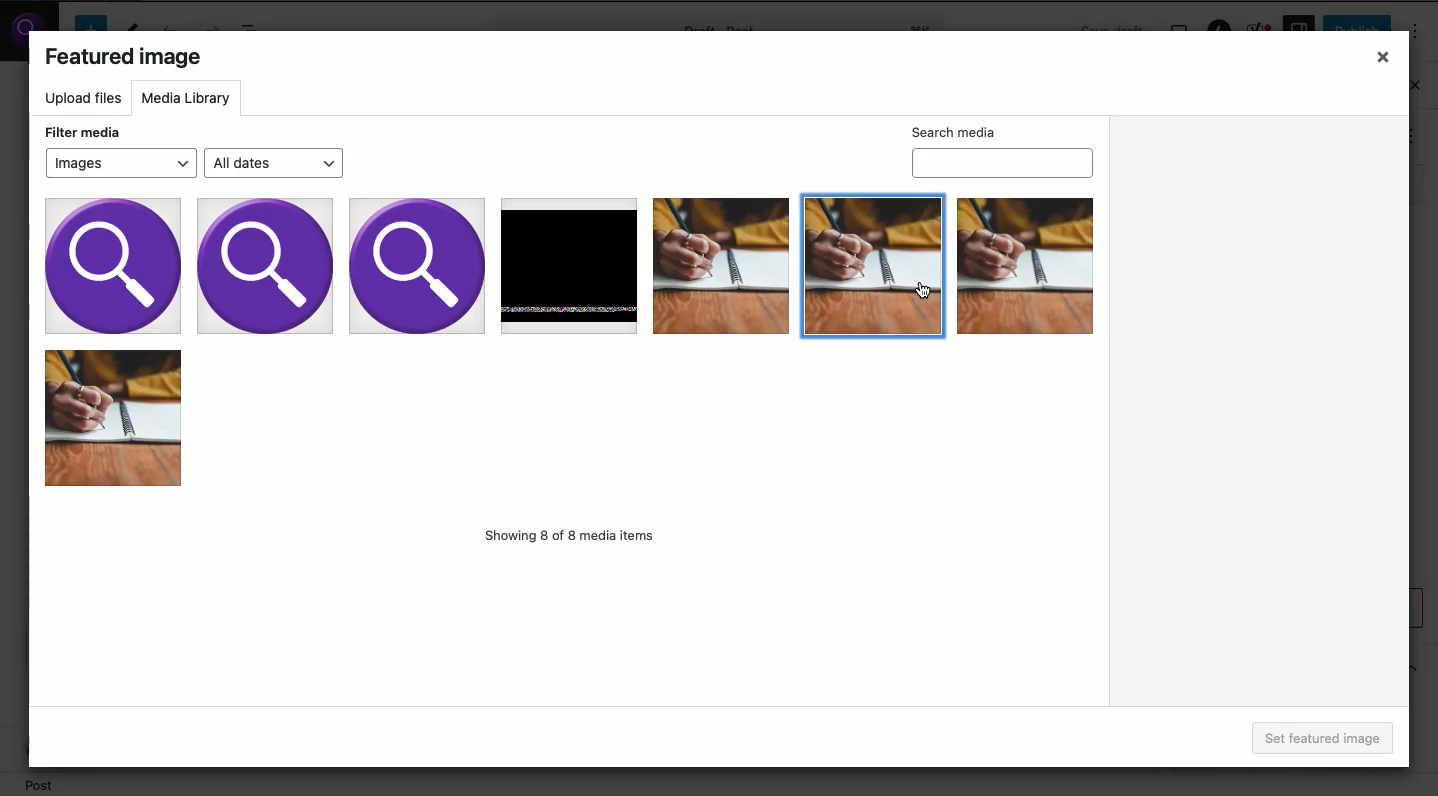 The height and width of the screenshot is (796, 1438). What do you see at coordinates (874, 266) in the screenshot?
I see `Image` at bounding box center [874, 266].